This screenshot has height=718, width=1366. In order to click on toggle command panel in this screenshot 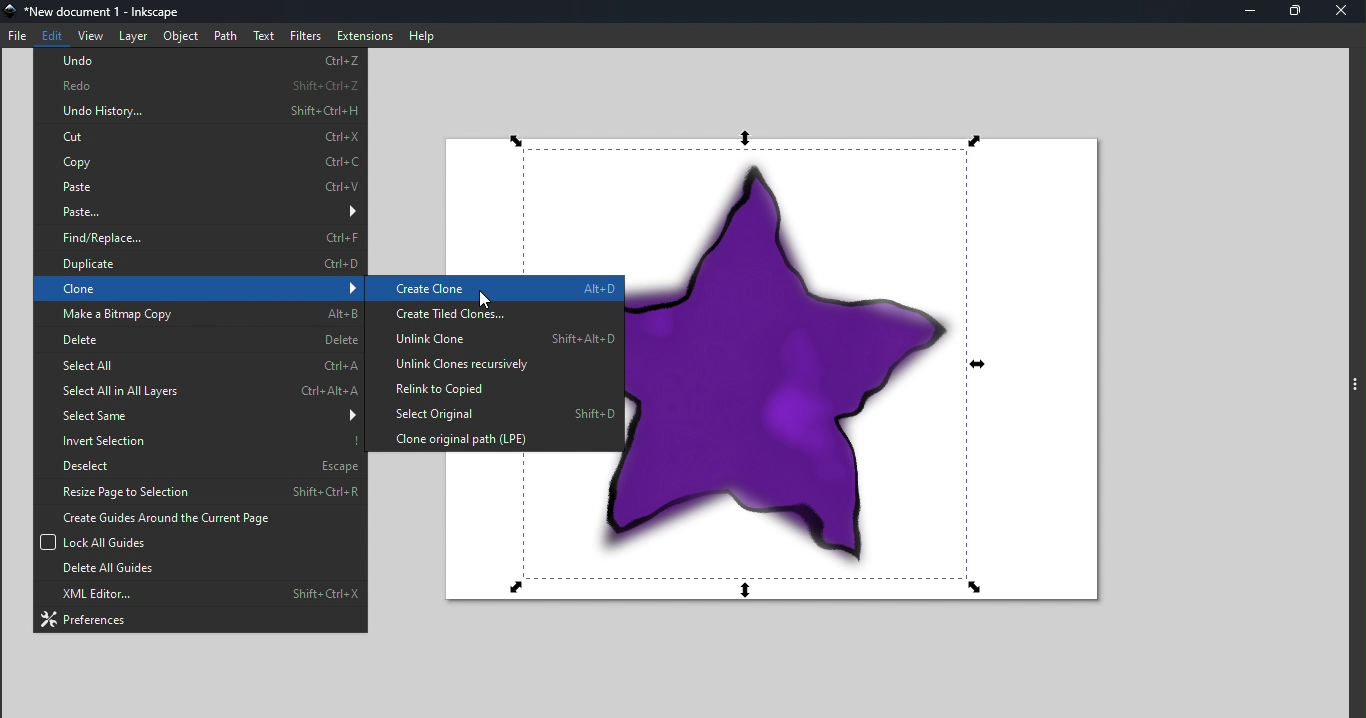, I will do `click(1357, 388)`.